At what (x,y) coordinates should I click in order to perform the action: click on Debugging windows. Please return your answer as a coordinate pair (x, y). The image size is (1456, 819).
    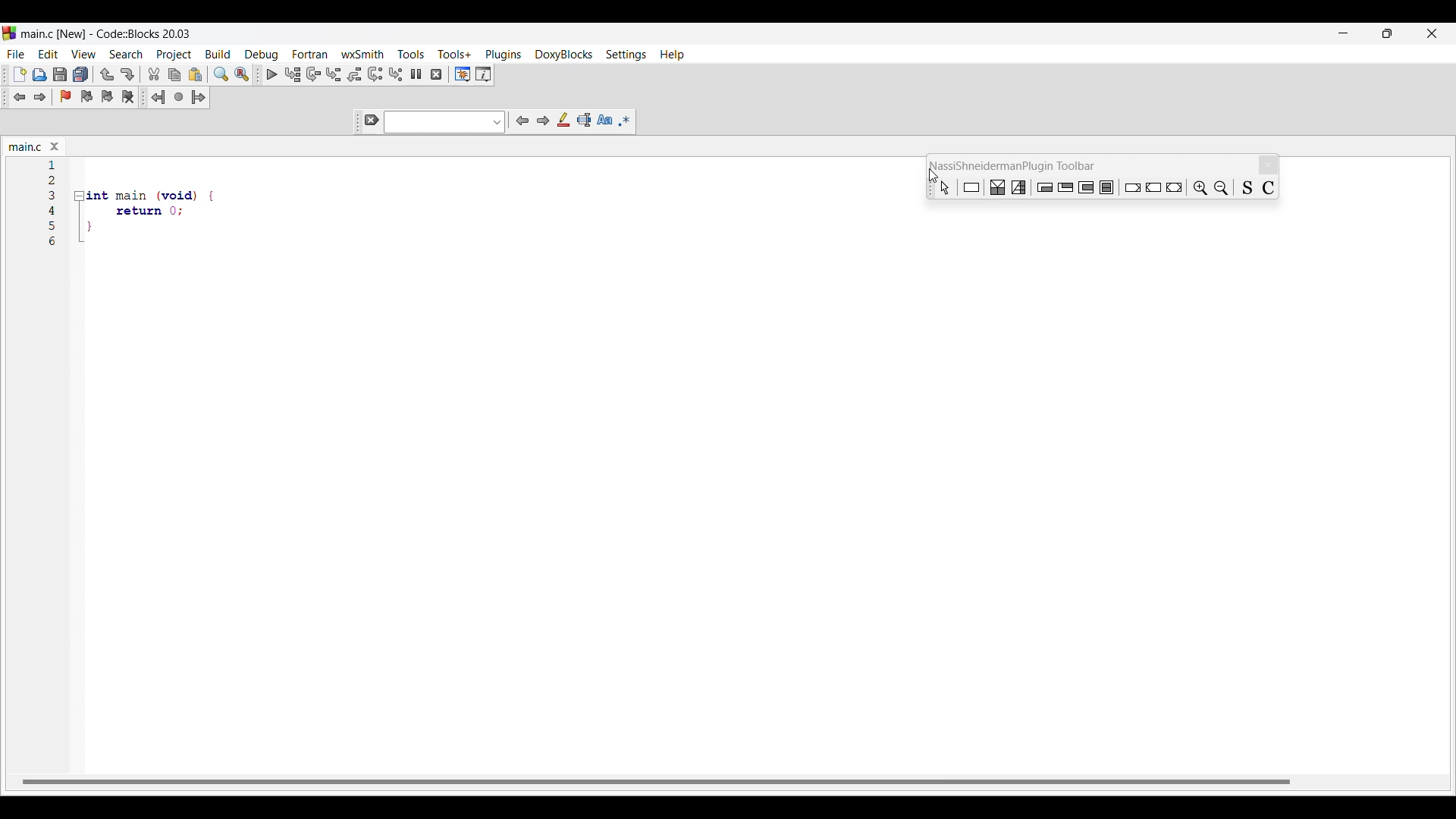
    Looking at the image, I should click on (463, 74).